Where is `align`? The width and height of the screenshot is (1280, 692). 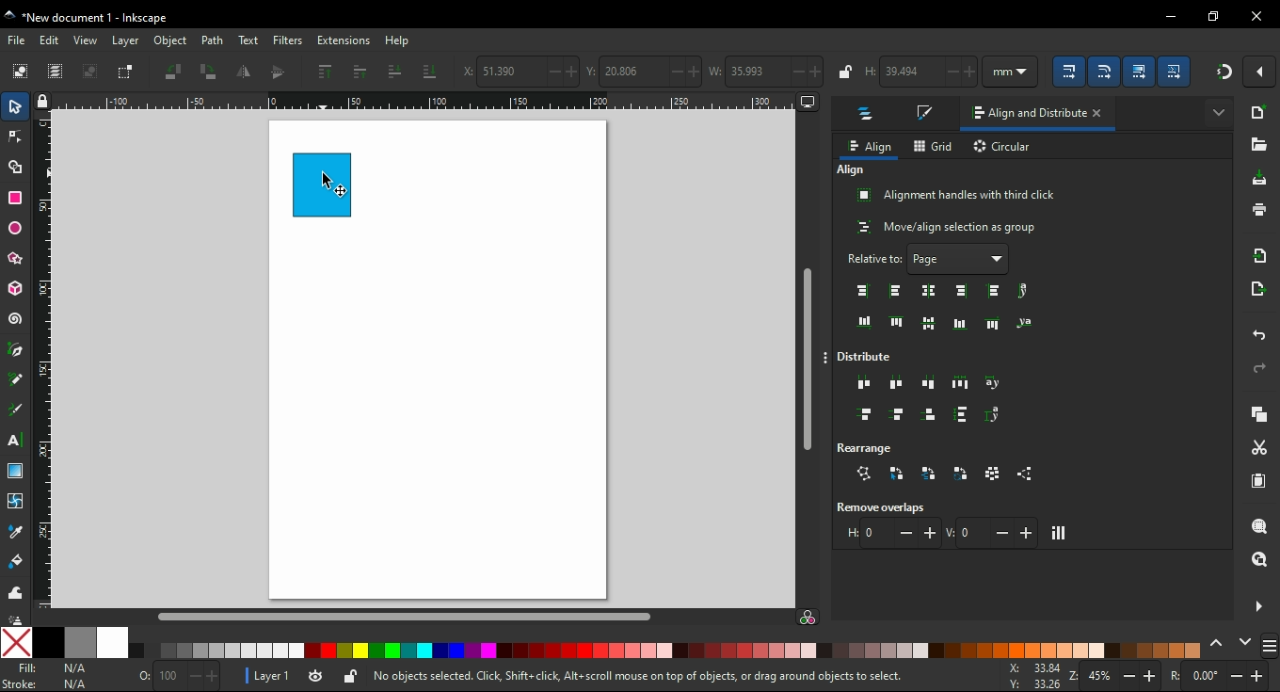 align is located at coordinates (869, 147).